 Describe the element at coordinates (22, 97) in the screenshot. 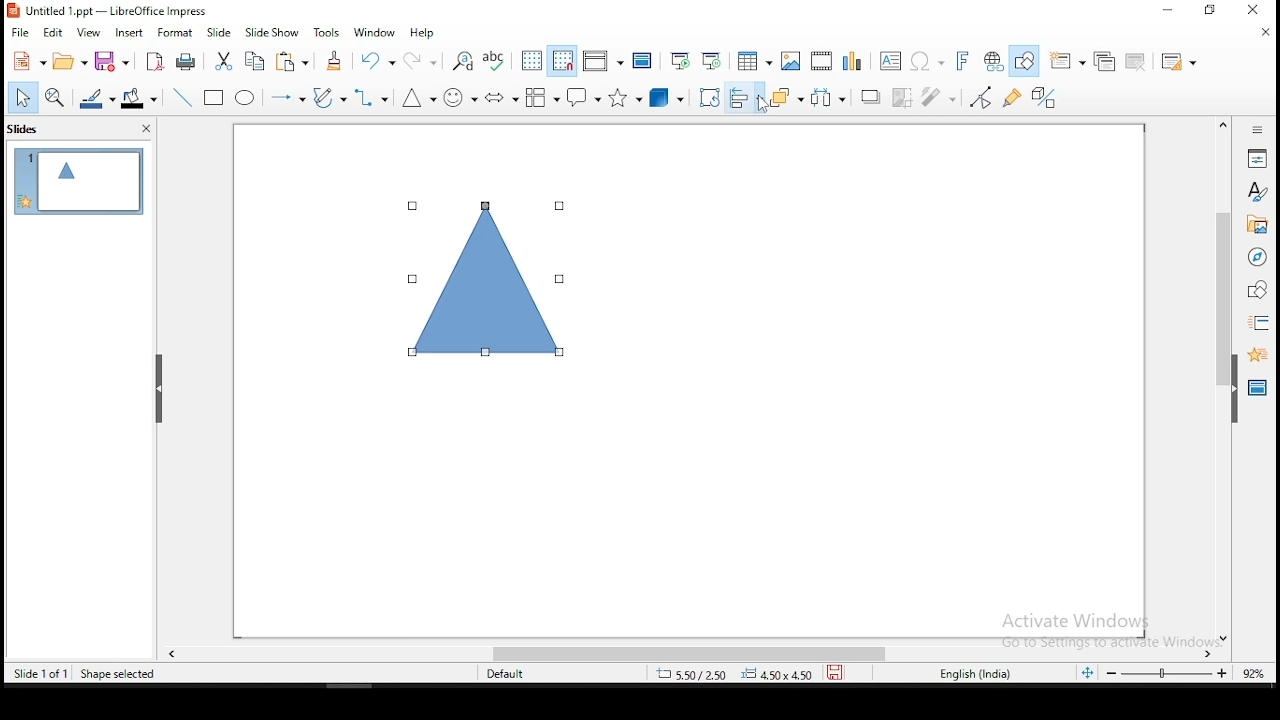

I see `select tool` at that location.